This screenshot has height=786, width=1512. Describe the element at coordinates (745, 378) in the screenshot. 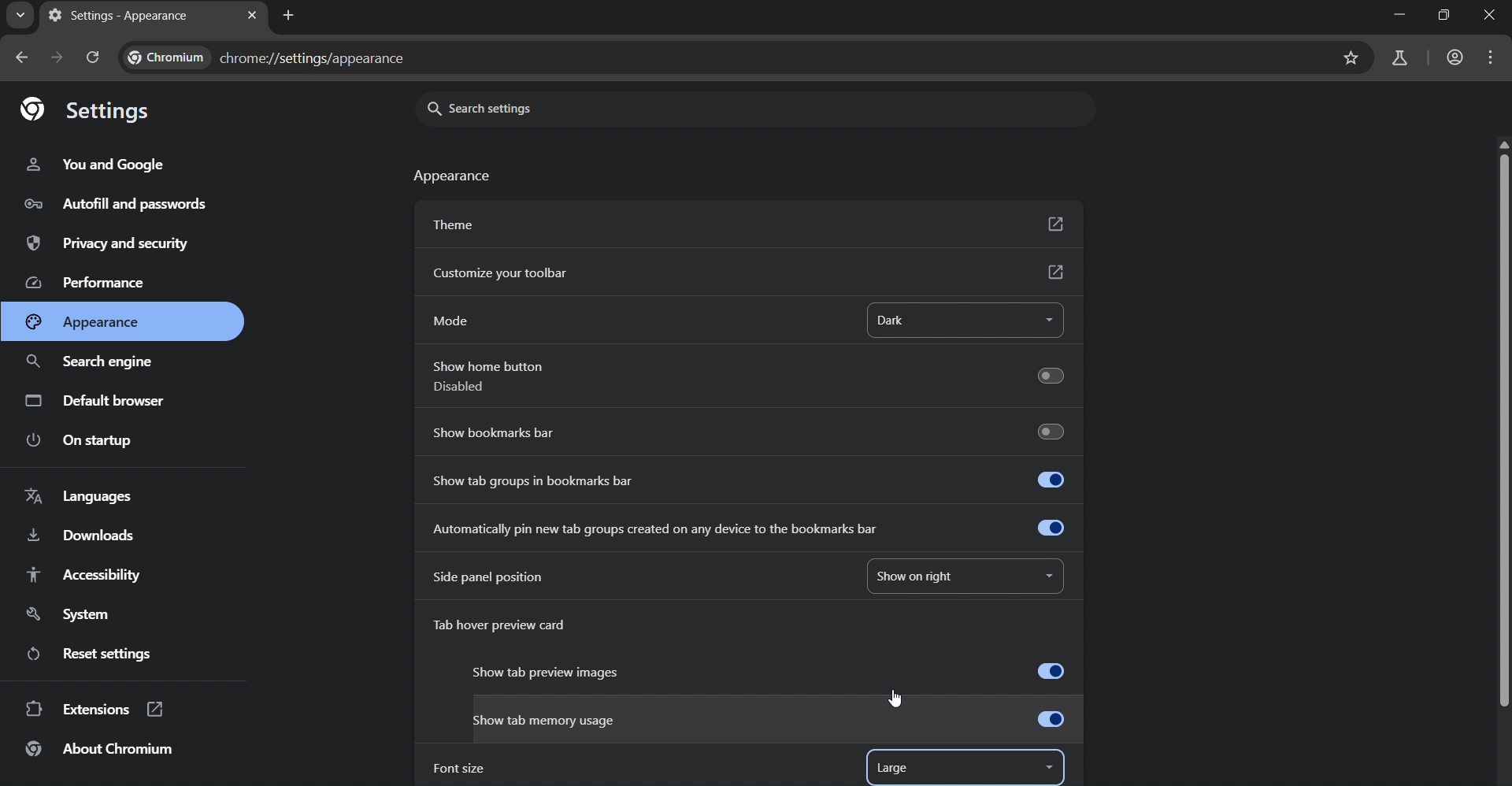

I see `show home button` at that location.